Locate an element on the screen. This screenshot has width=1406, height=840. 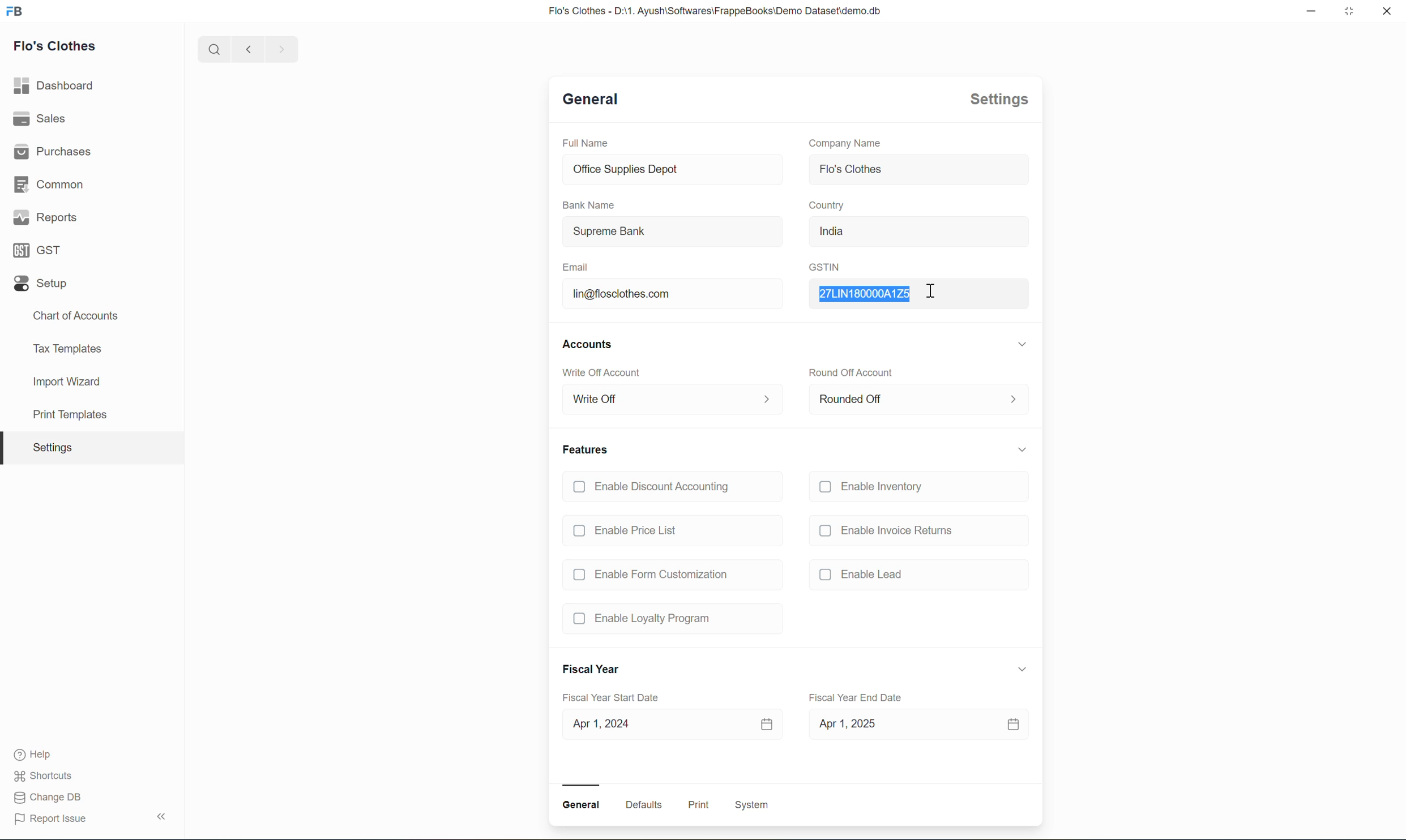
calendar icon is located at coordinates (1014, 725).